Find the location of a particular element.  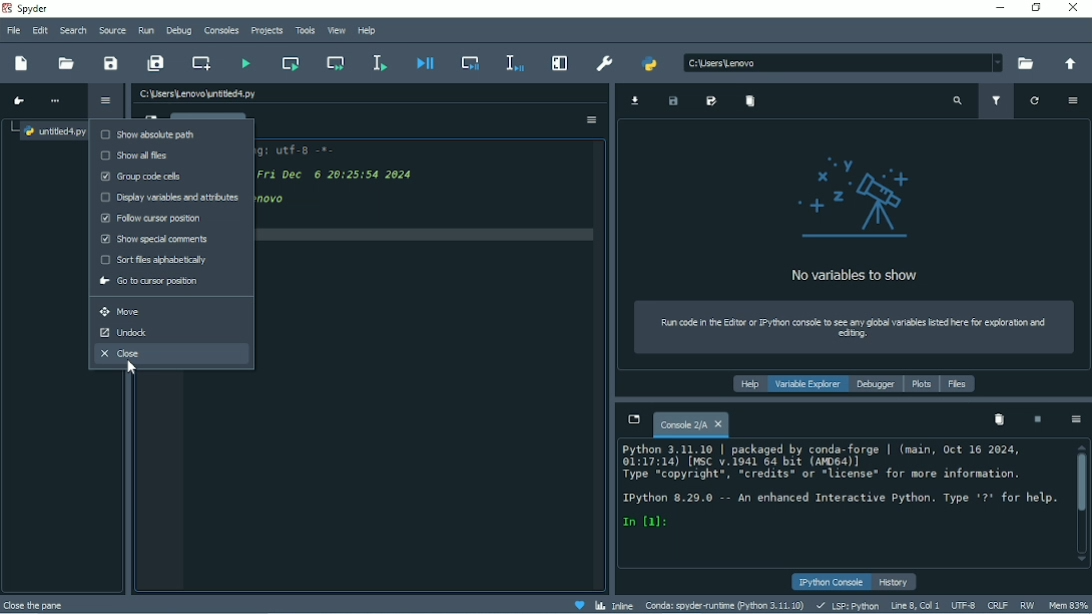

Projects is located at coordinates (266, 31).